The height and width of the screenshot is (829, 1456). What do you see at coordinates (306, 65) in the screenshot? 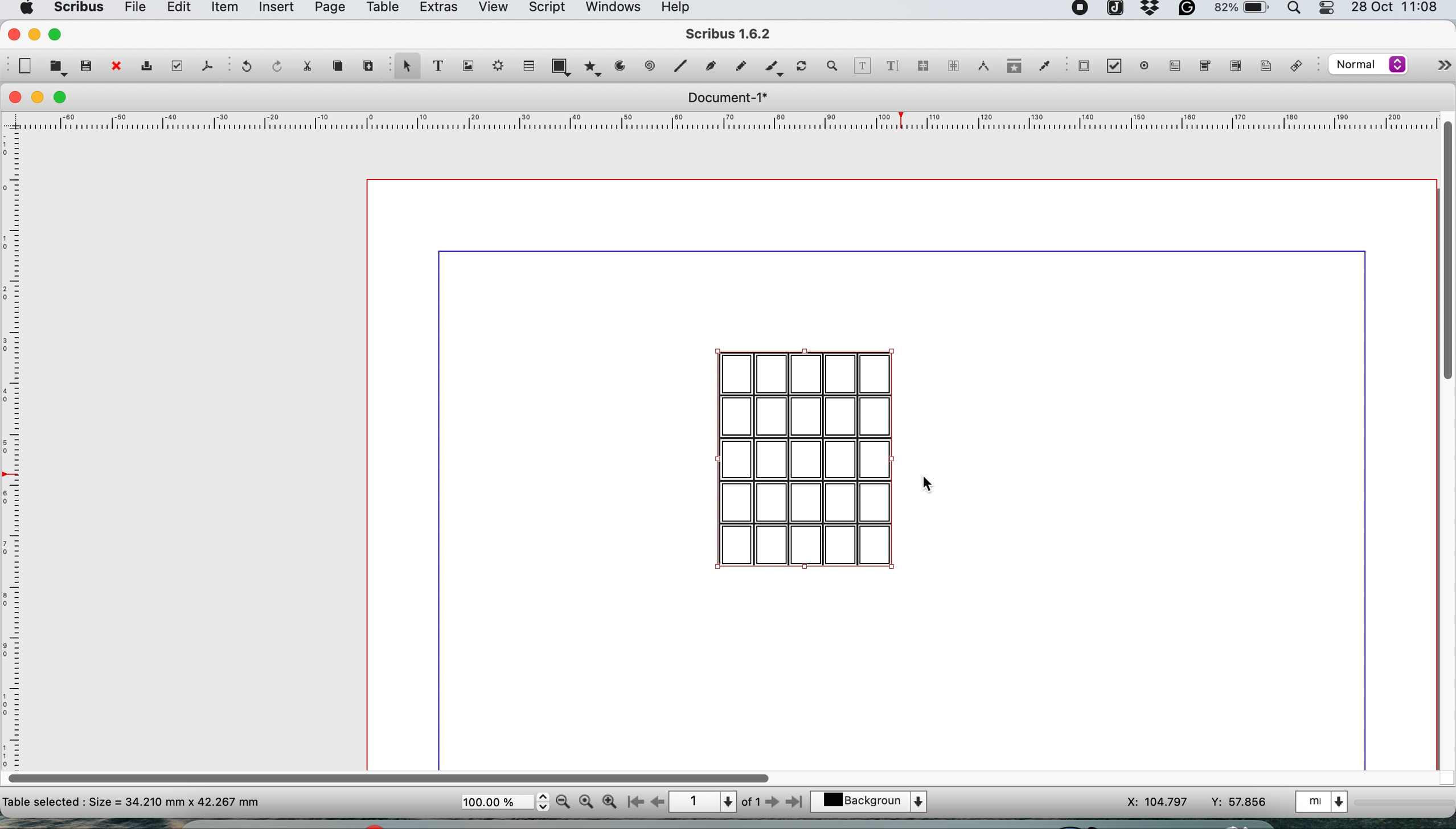
I see `cut` at bounding box center [306, 65].